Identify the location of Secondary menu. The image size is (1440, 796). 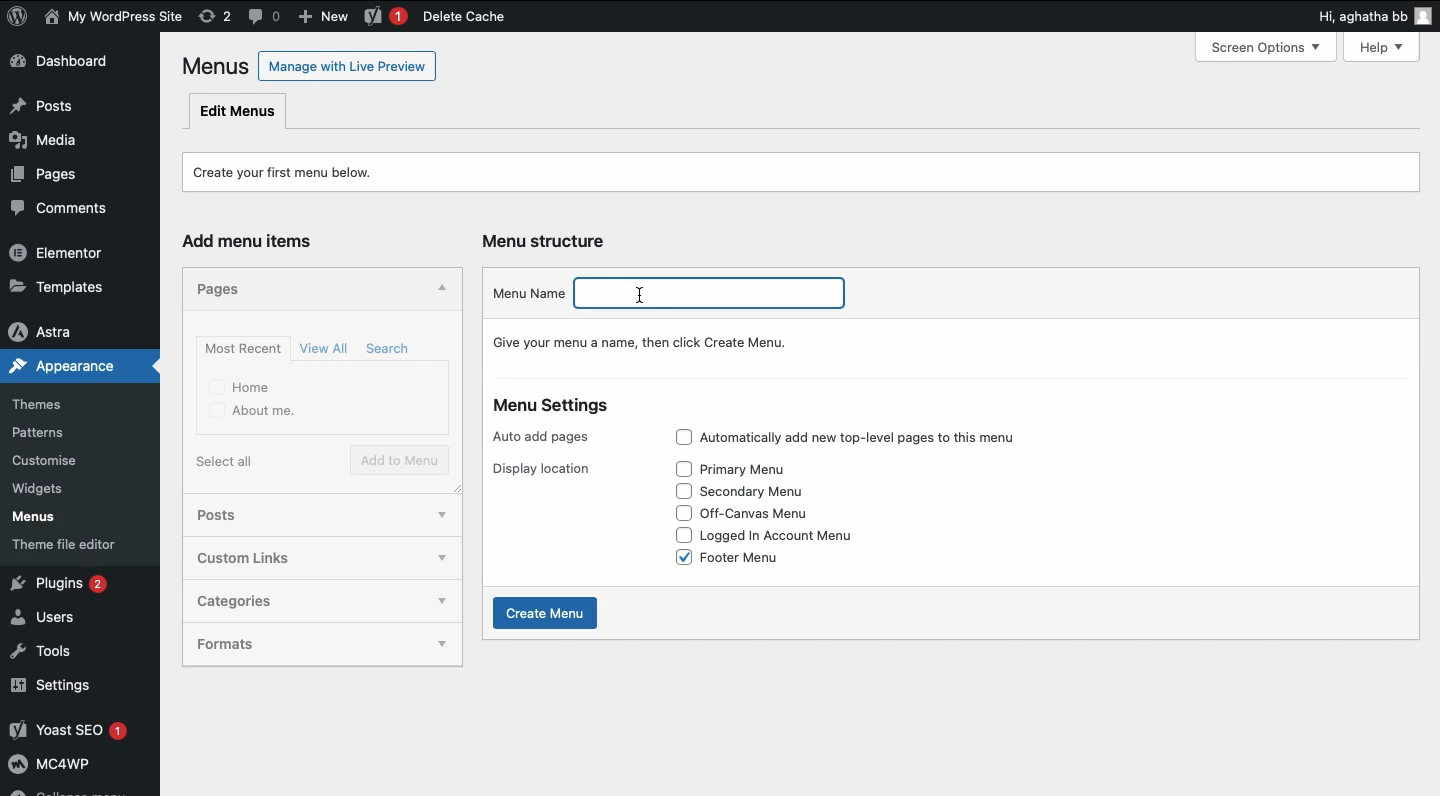
(765, 492).